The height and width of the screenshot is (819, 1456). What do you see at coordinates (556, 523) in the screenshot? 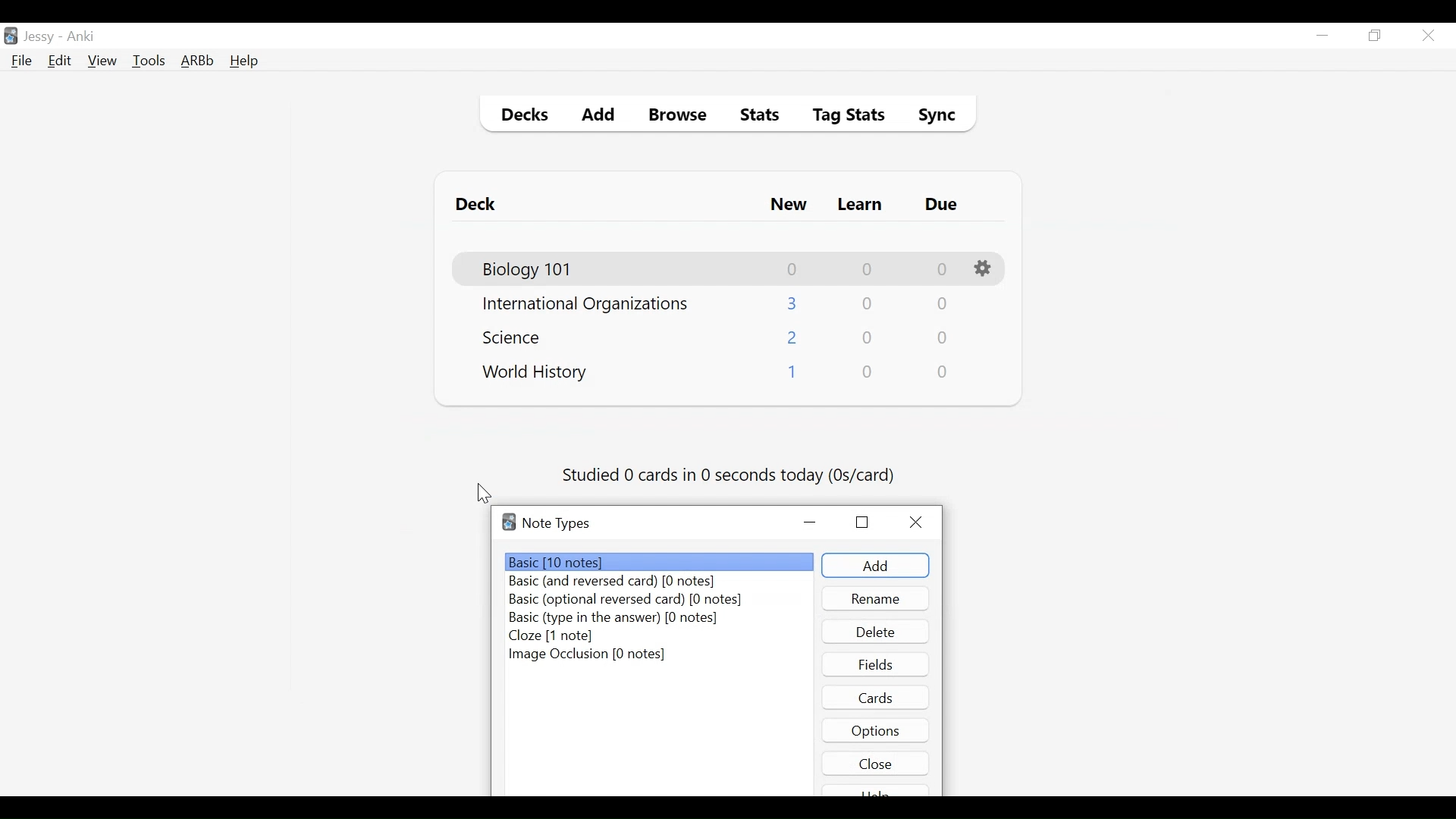
I see `Note Types` at bounding box center [556, 523].